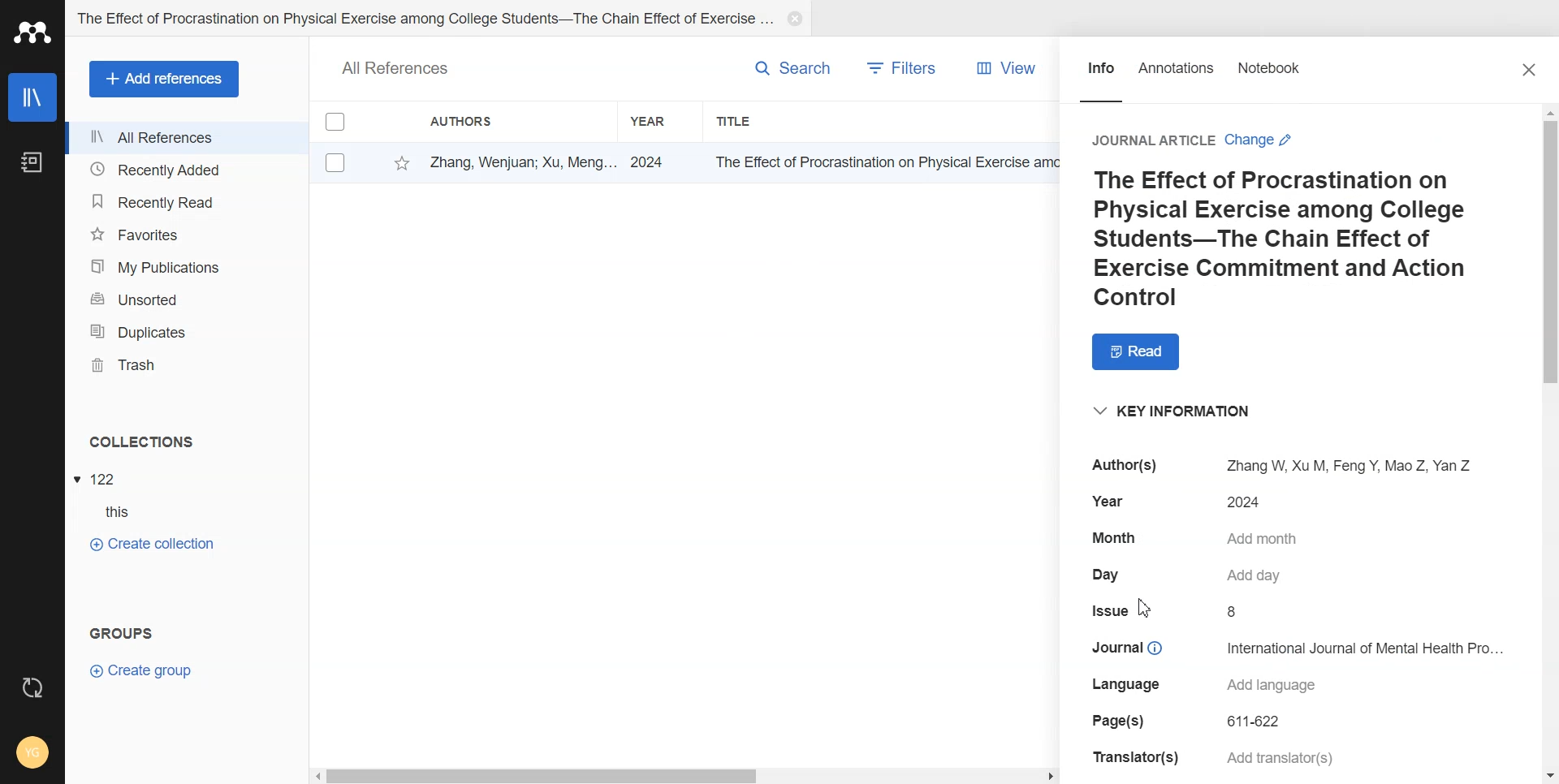  Describe the element at coordinates (651, 162) in the screenshot. I see `2024` at that location.